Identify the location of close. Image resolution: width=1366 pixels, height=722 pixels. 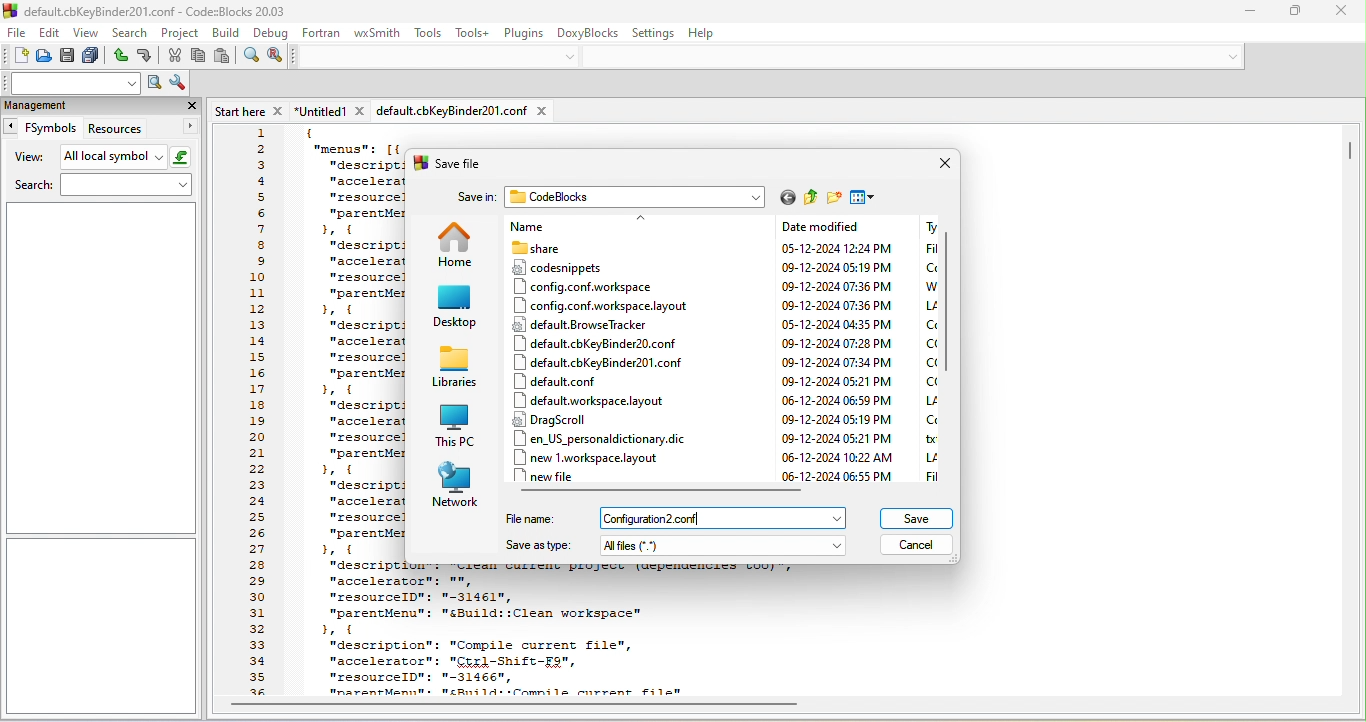
(190, 105).